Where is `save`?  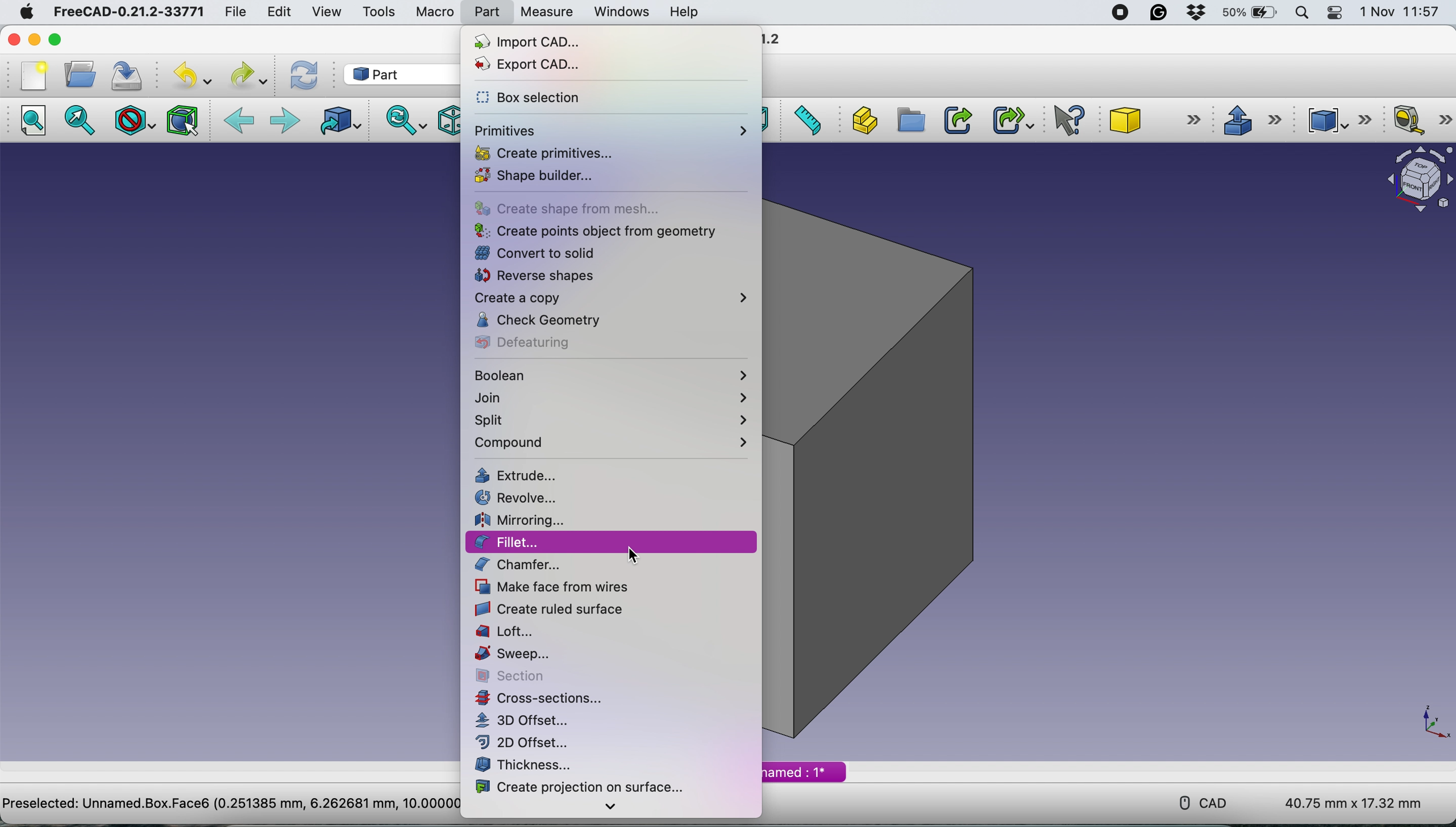 save is located at coordinates (131, 75).